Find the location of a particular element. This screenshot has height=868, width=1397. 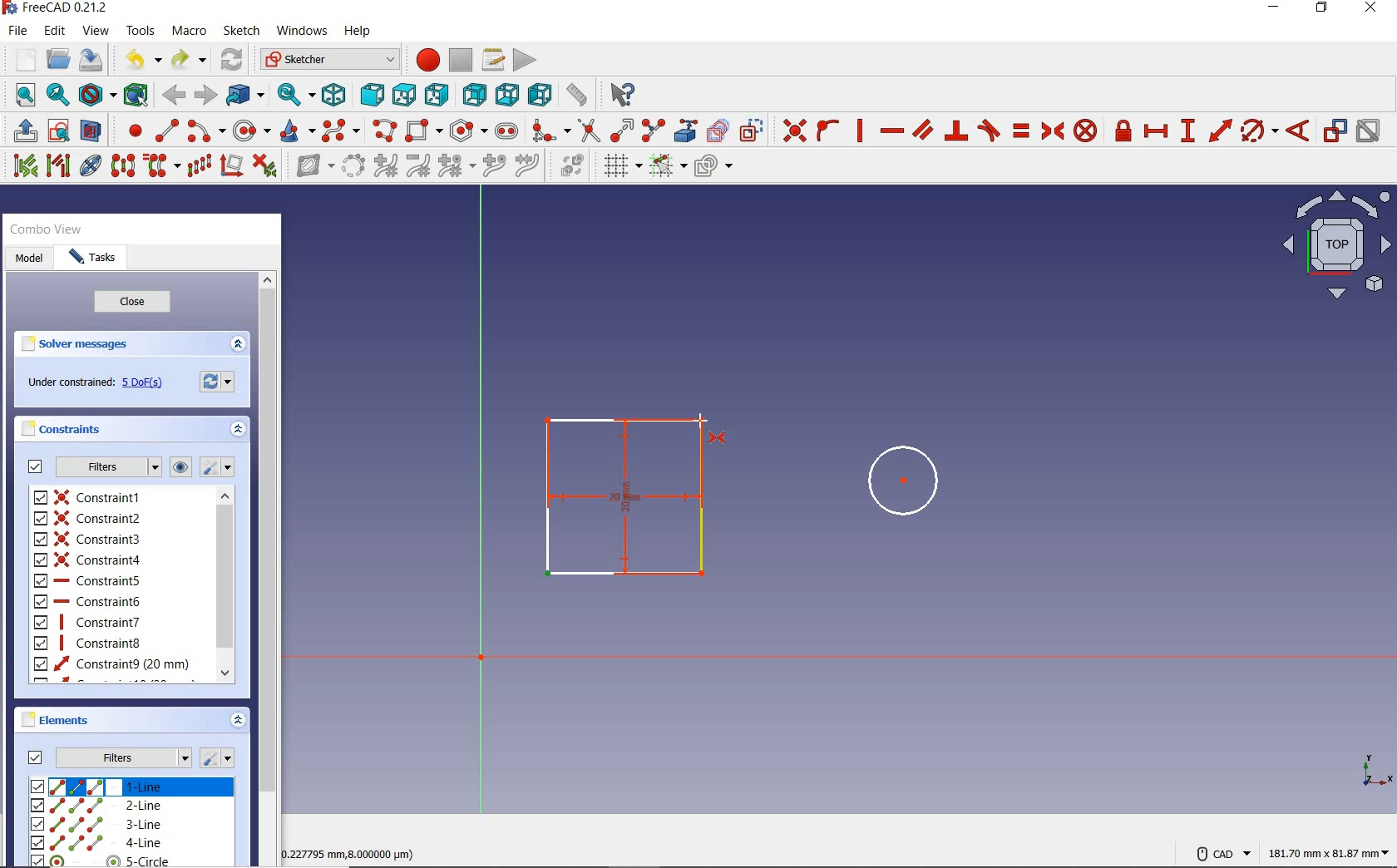

fit selection is located at coordinates (57, 96).